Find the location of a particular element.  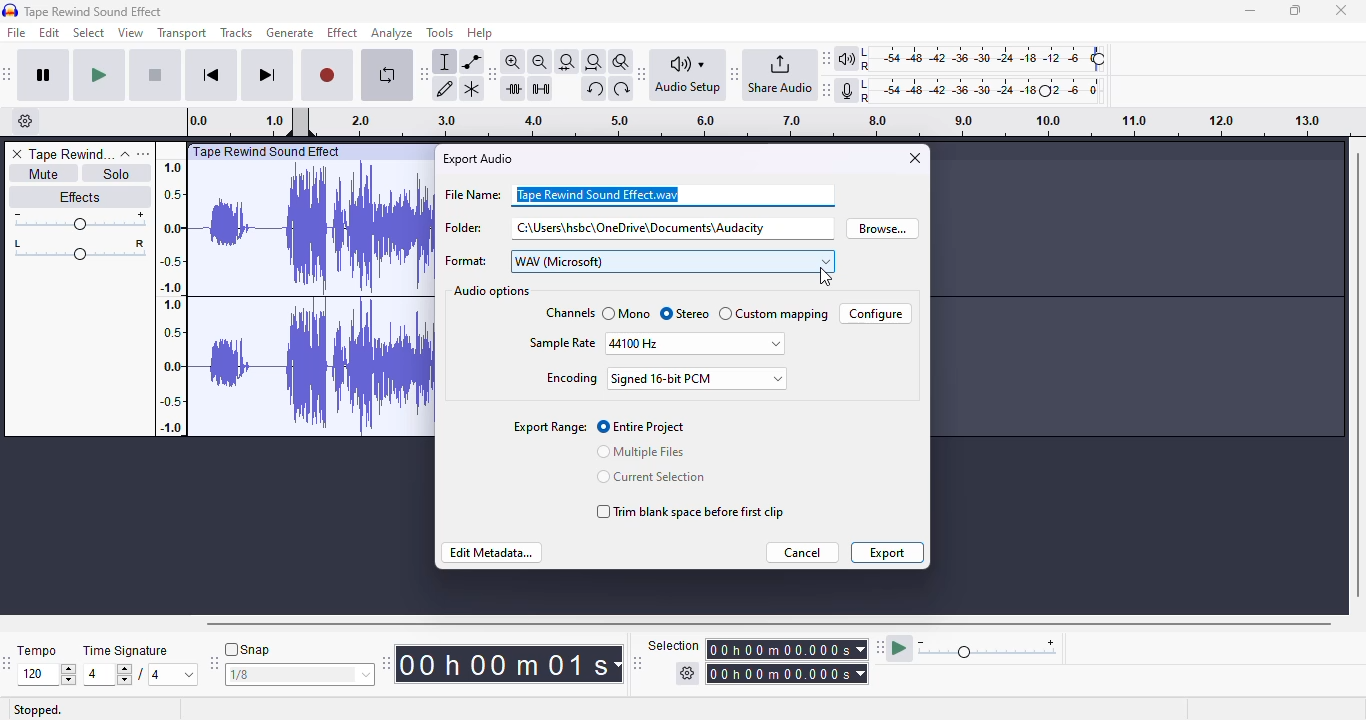

view is located at coordinates (131, 32).